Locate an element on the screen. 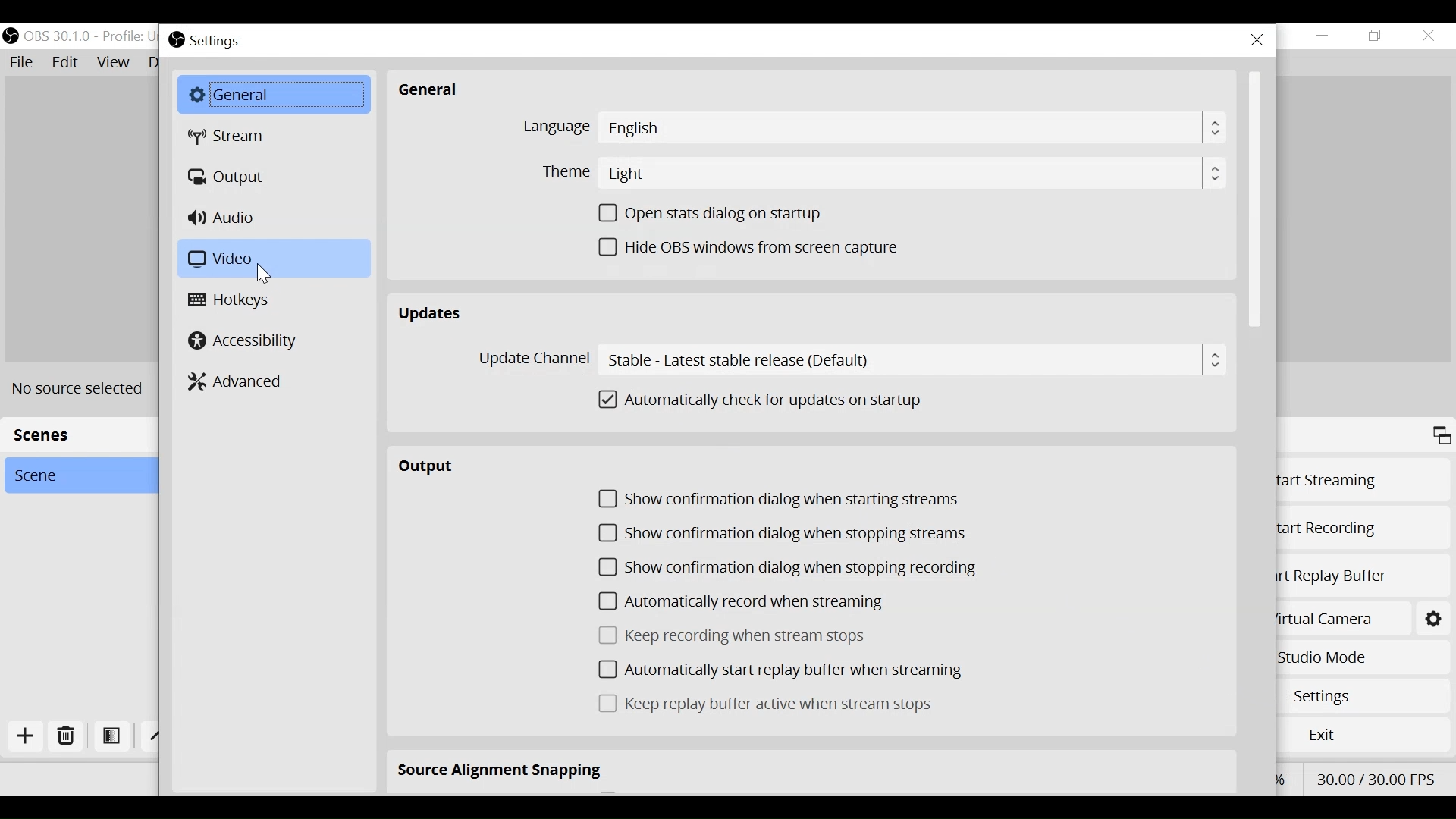  FPS30.00/ 30.00 FPS is located at coordinates (1377, 777).